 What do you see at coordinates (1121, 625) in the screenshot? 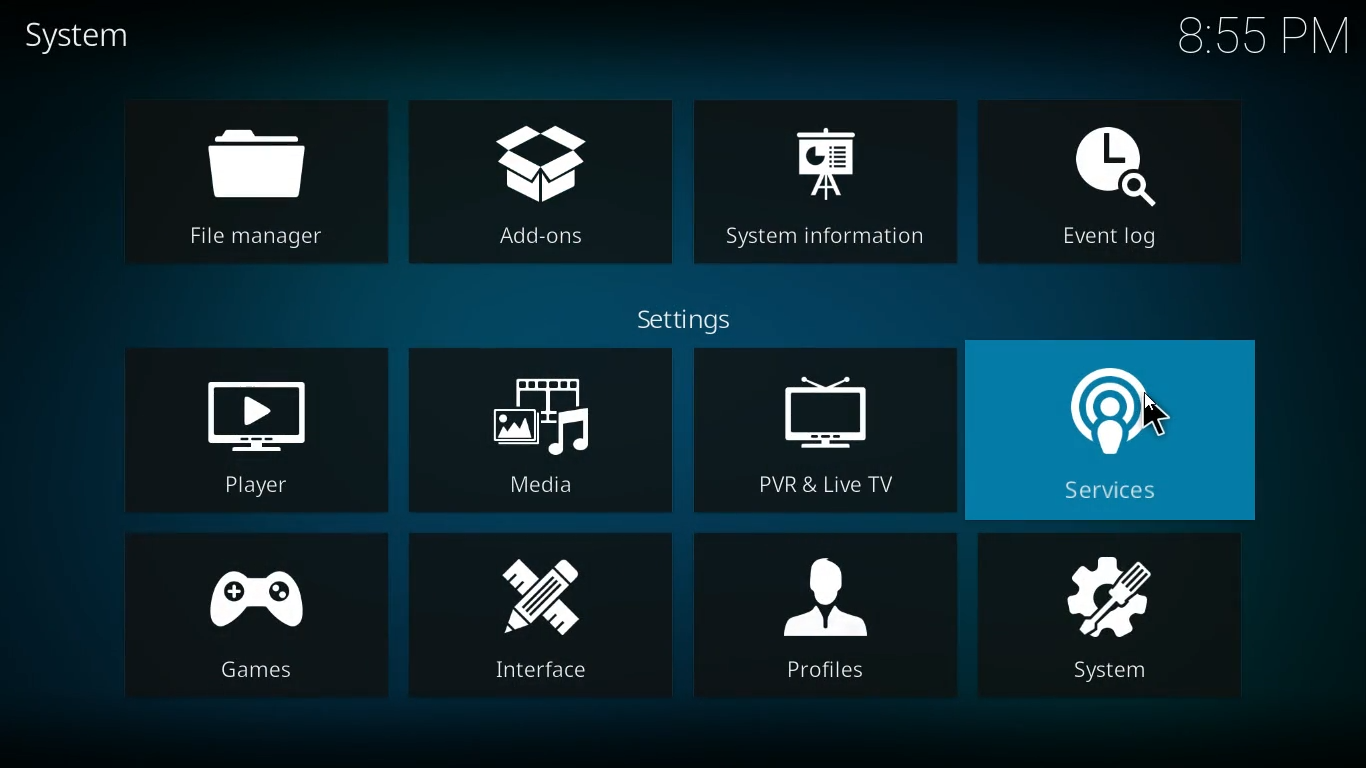
I see `system` at bounding box center [1121, 625].